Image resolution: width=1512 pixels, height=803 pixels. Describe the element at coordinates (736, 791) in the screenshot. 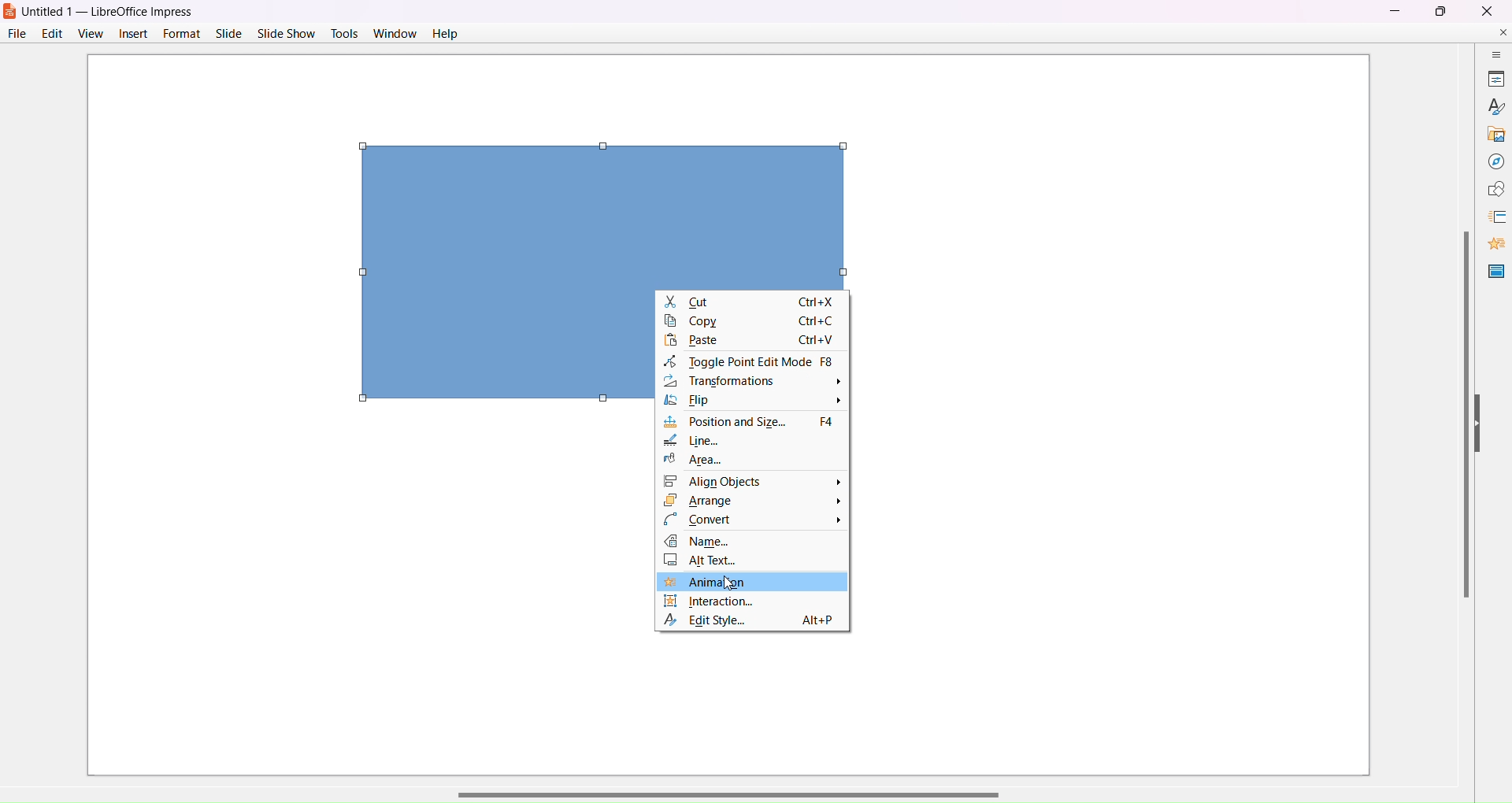

I see `Horizontal Scroll Bar` at that location.